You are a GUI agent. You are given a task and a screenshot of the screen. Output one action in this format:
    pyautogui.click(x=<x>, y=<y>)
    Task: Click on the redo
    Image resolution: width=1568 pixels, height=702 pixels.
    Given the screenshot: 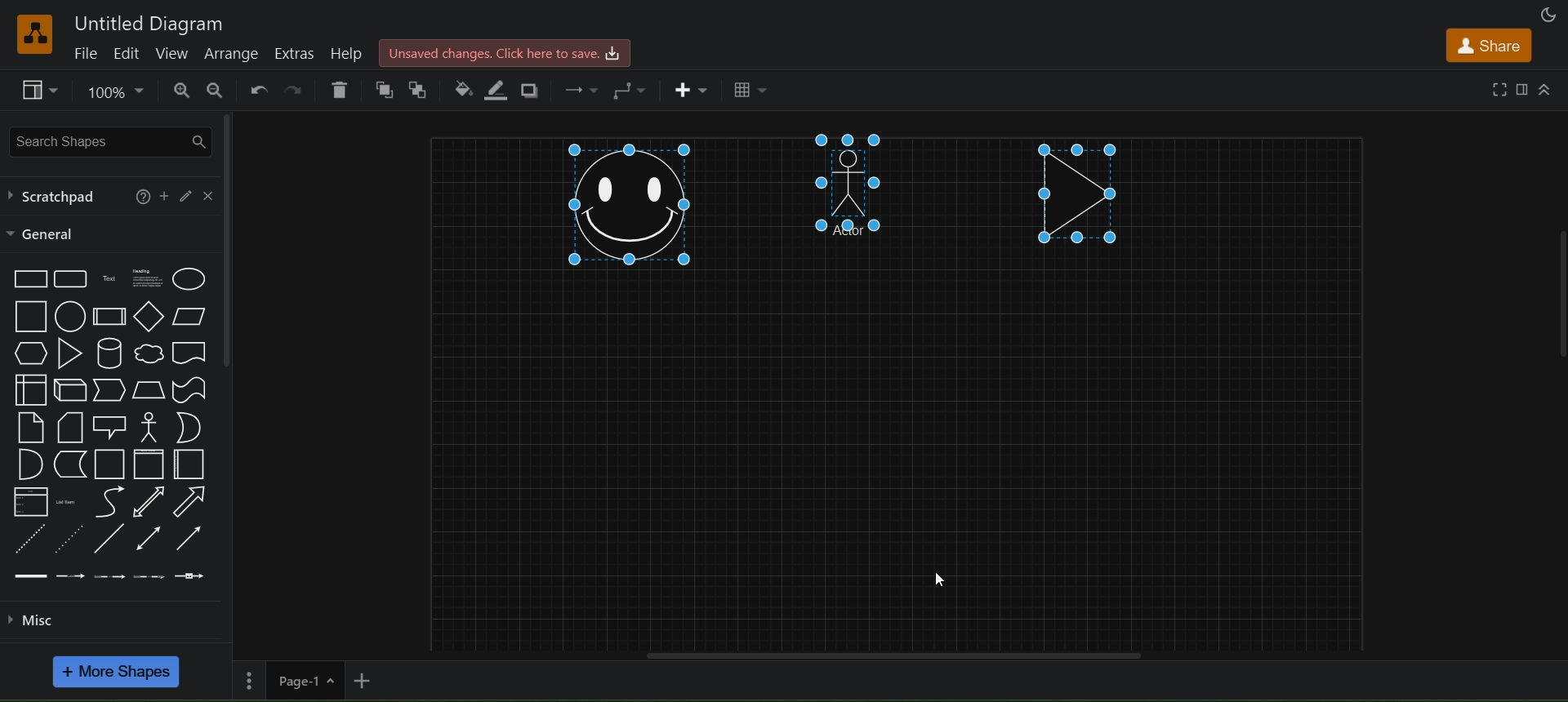 What is the action you would take?
    pyautogui.click(x=297, y=88)
    